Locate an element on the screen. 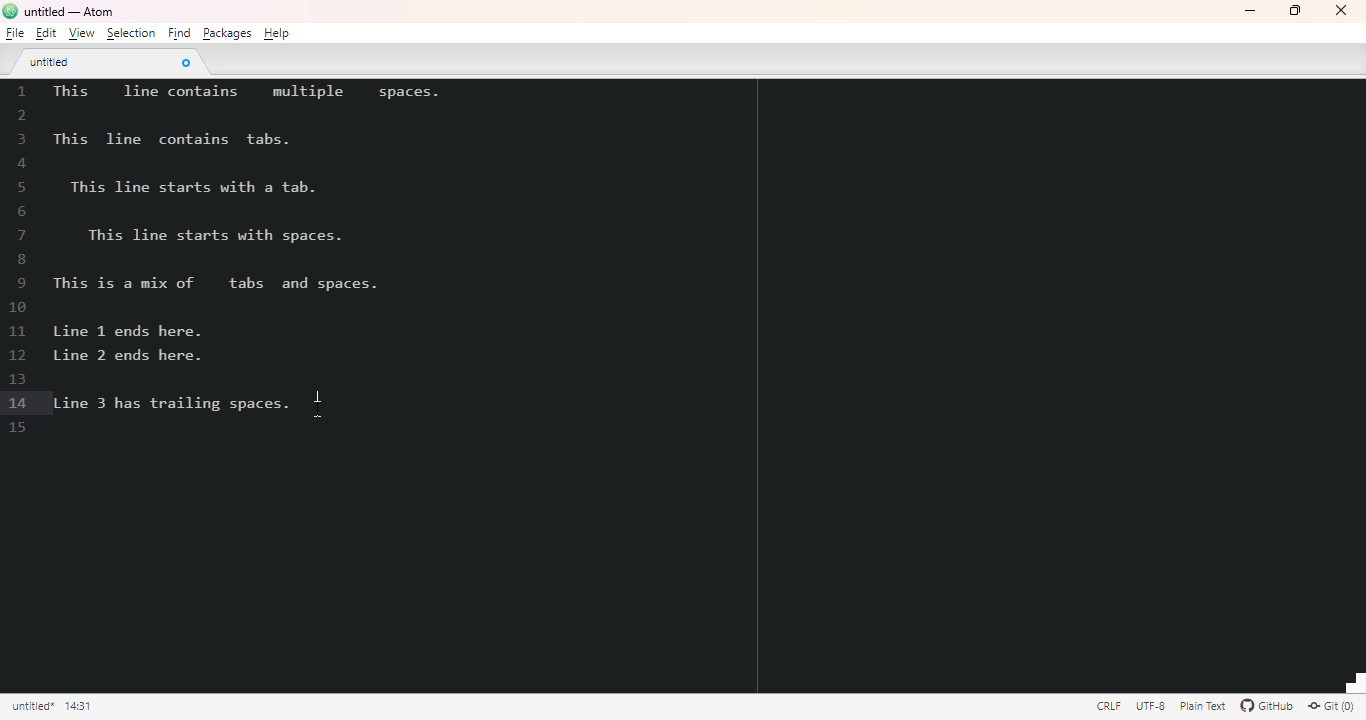 This screenshot has width=1366, height=720. view is located at coordinates (81, 34).